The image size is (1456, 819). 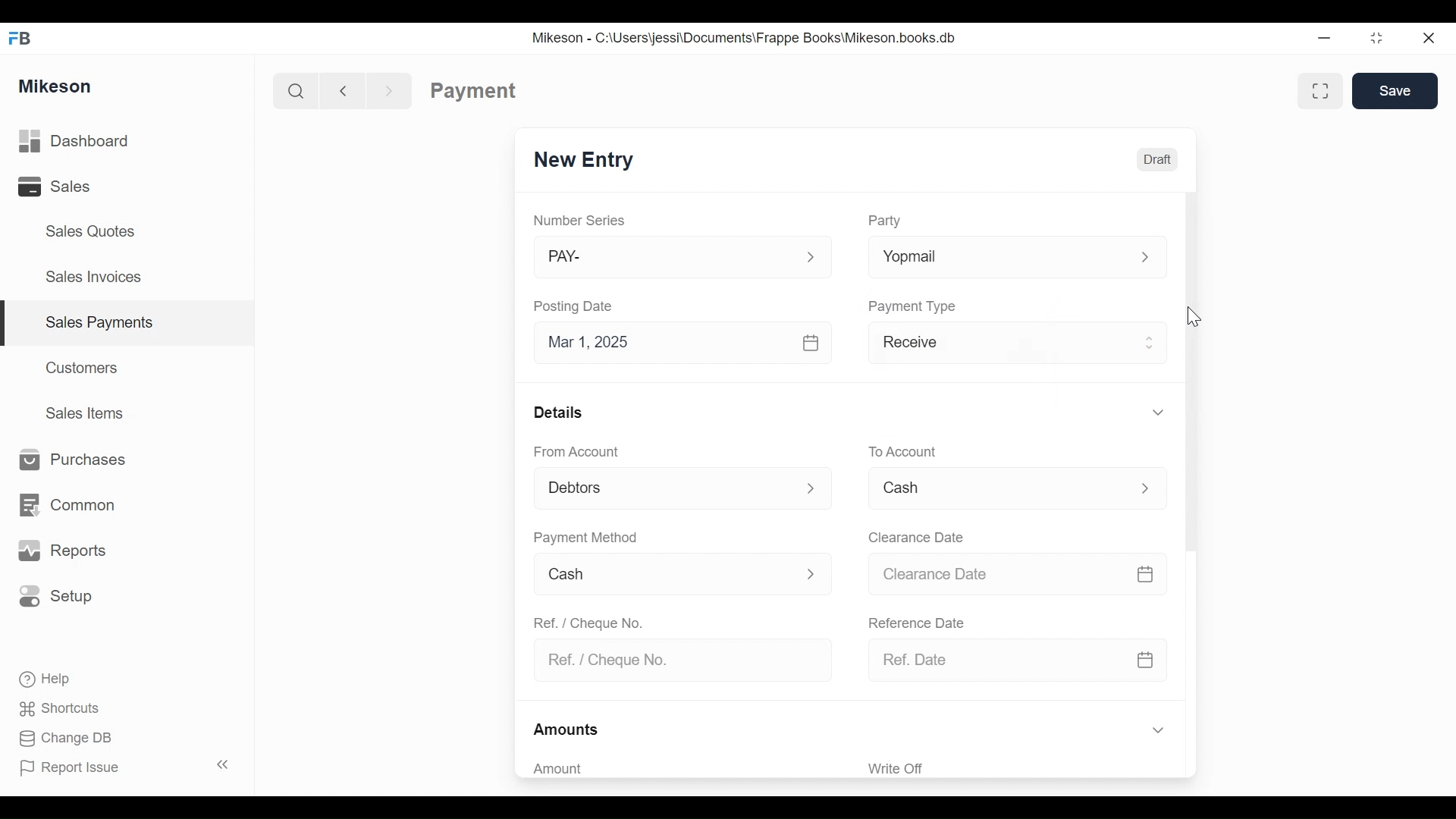 I want to click on Mikeson, so click(x=56, y=84).